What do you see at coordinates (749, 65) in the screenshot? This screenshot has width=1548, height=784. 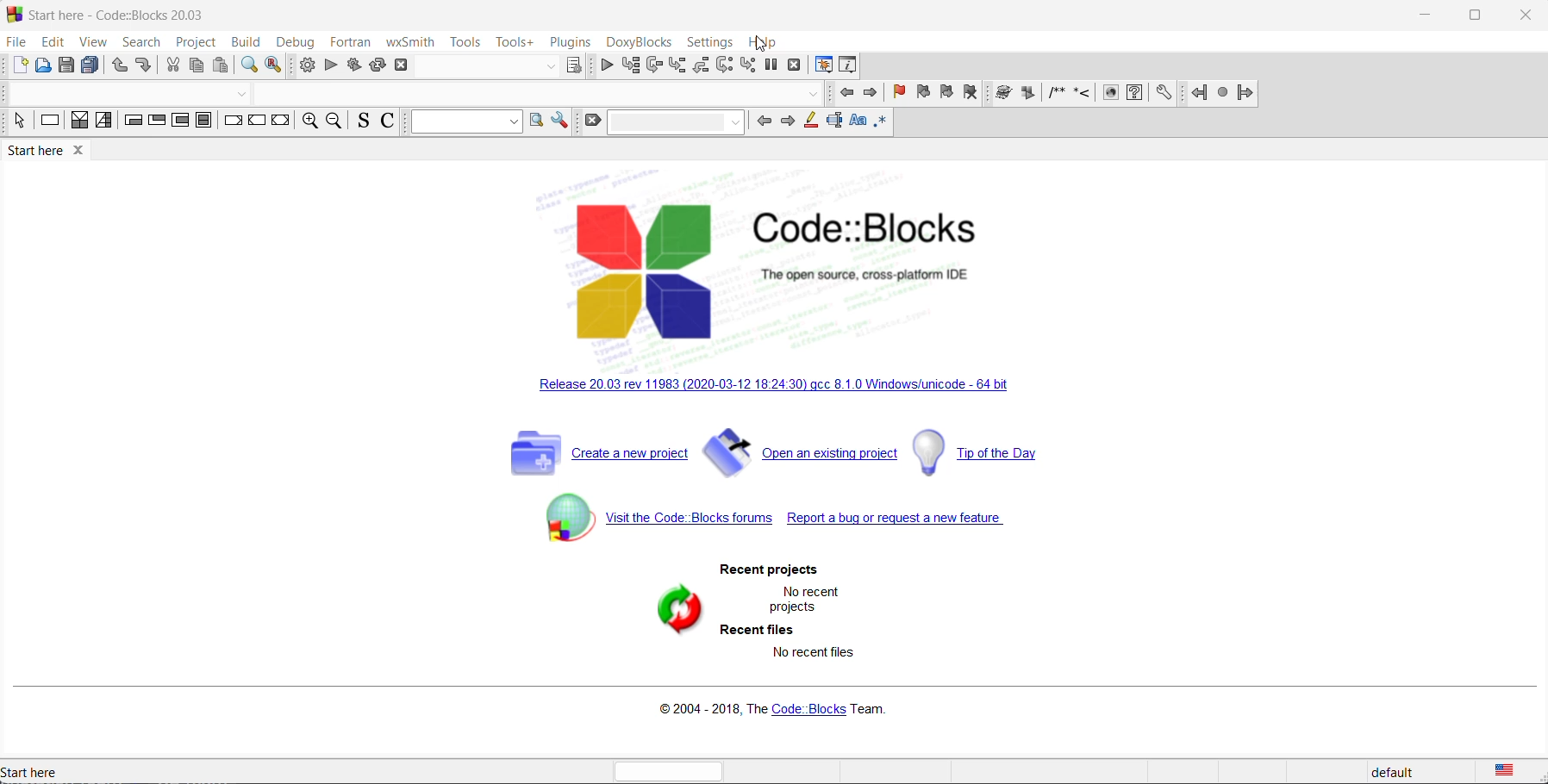 I see `step into instruction` at bounding box center [749, 65].